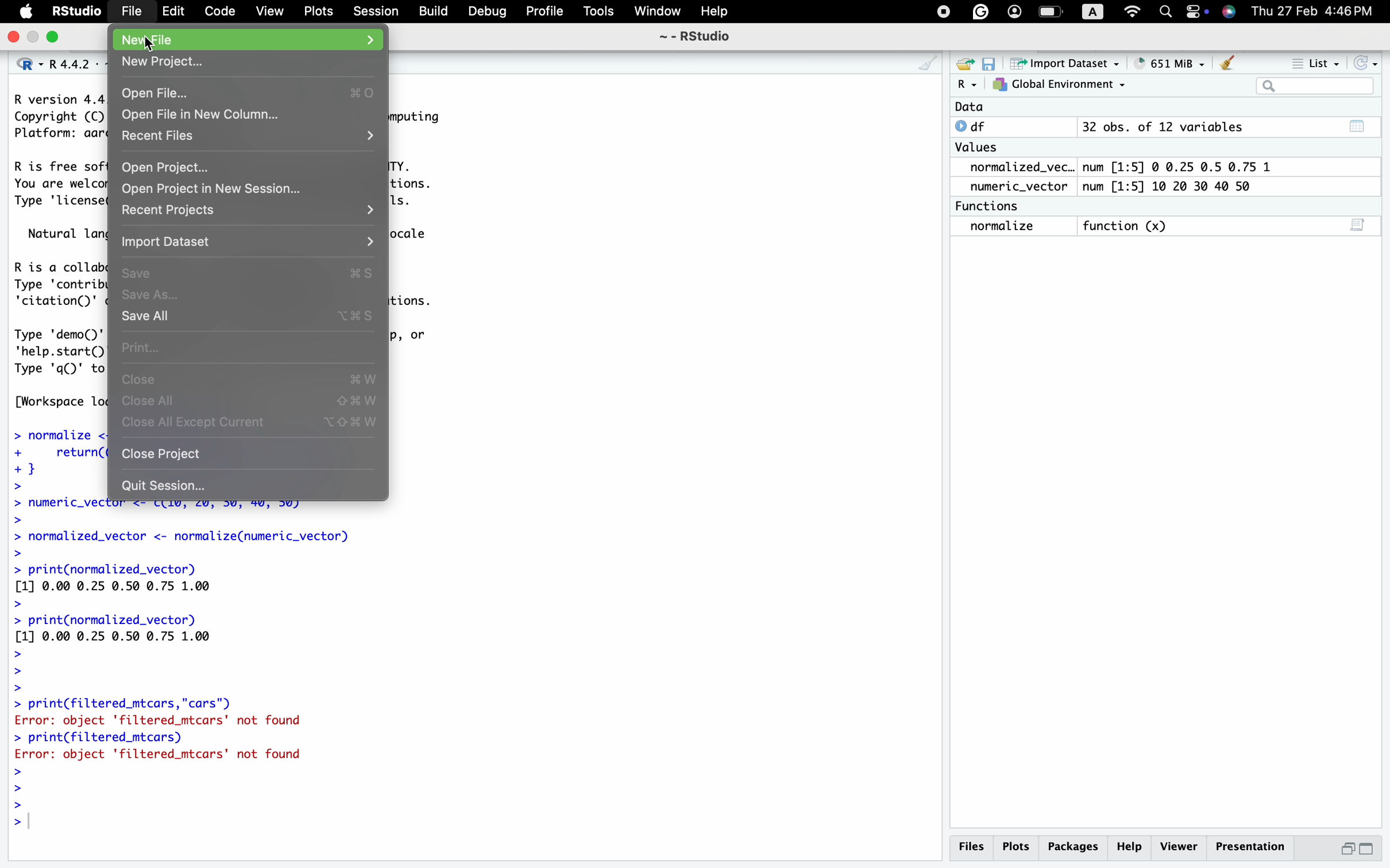 The image size is (1390, 868). What do you see at coordinates (1052, 13) in the screenshot?
I see `battery` at bounding box center [1052, 13].